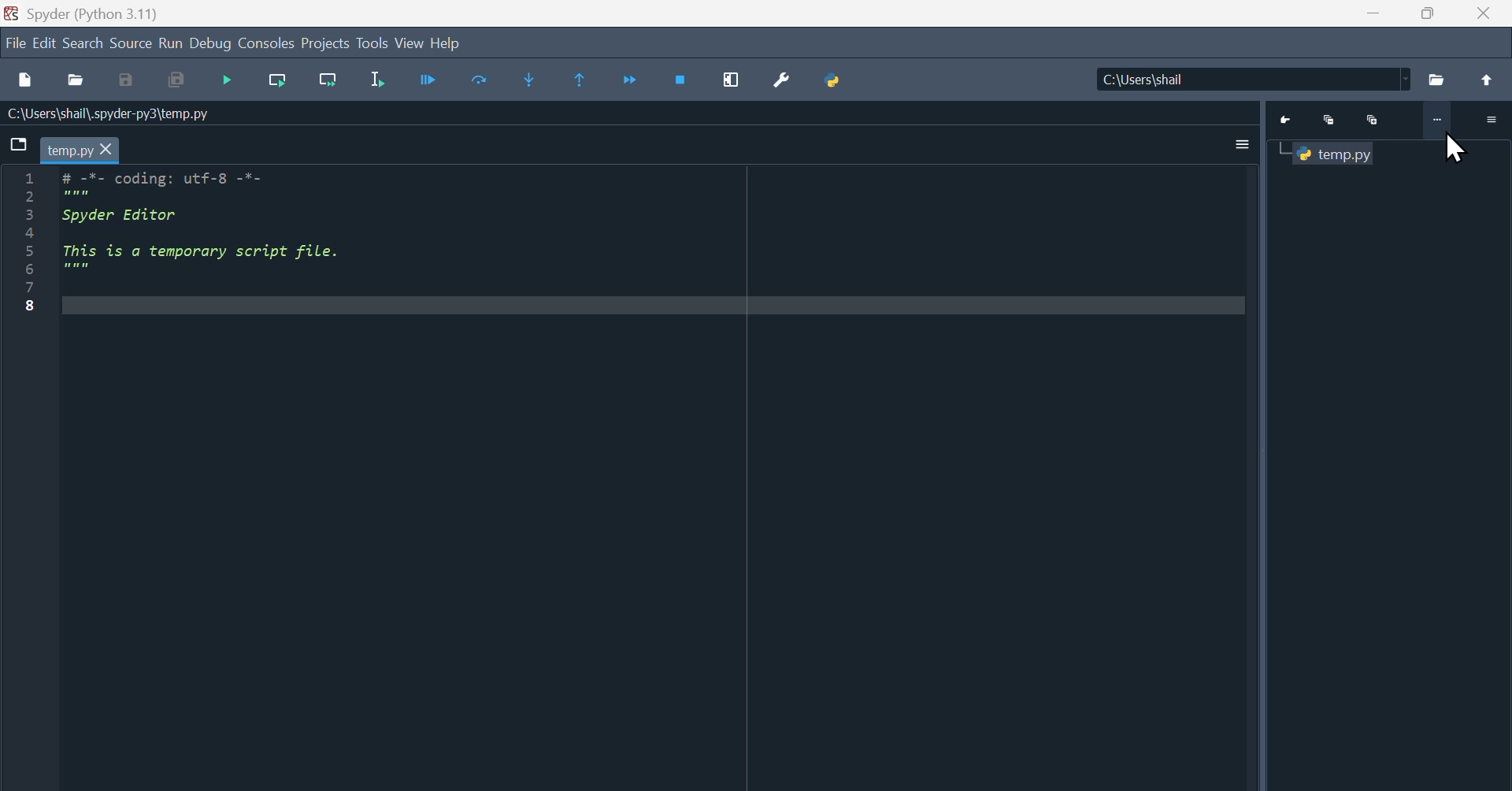  Describe the element at coordinates (230, 83) in the screenshot. I see `Debugging` at that location.